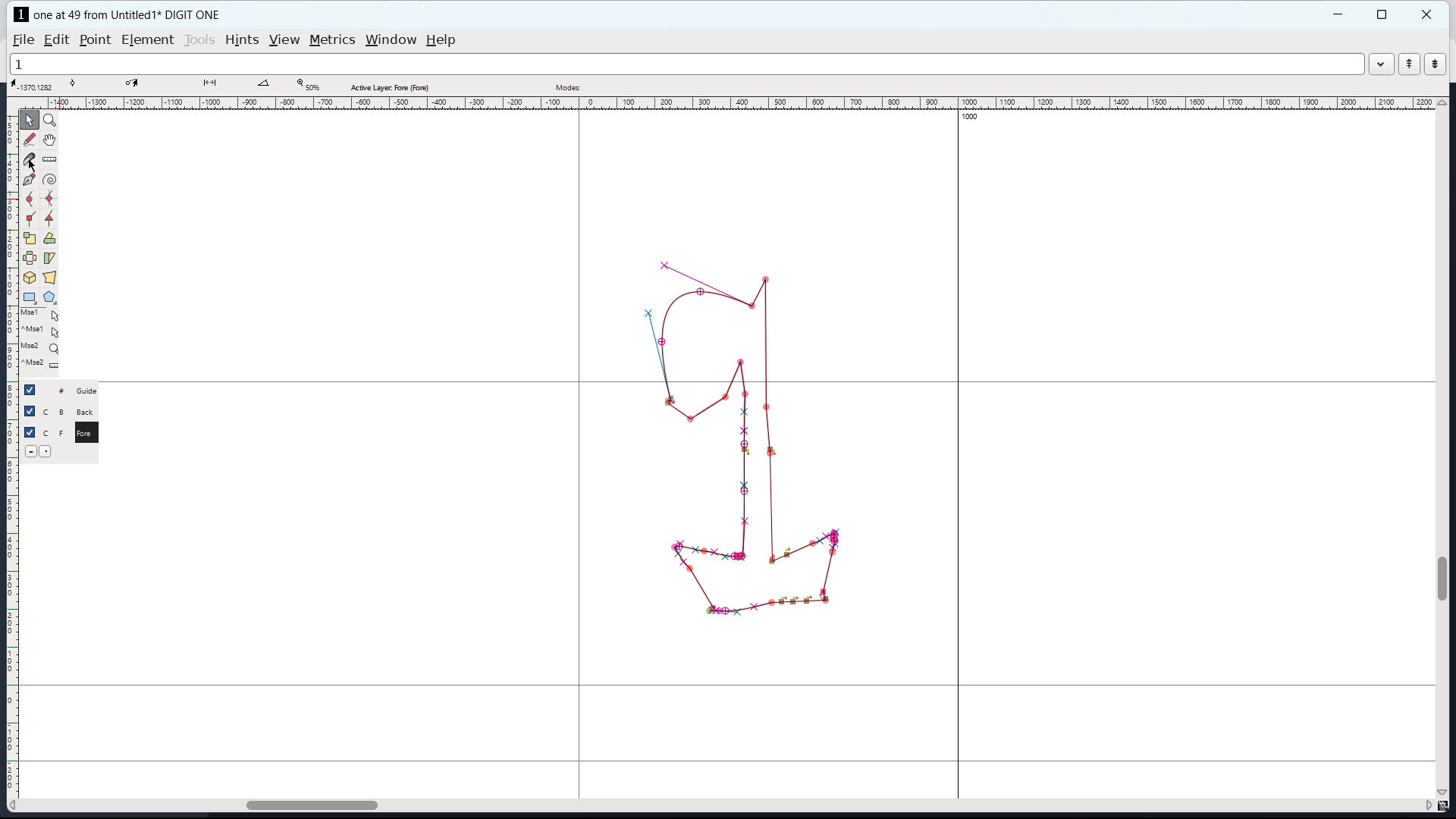  Describe the element at coordinates (30, 278) in the screenshot. I see `rotate selection in 3D and project back to plane` at that location.